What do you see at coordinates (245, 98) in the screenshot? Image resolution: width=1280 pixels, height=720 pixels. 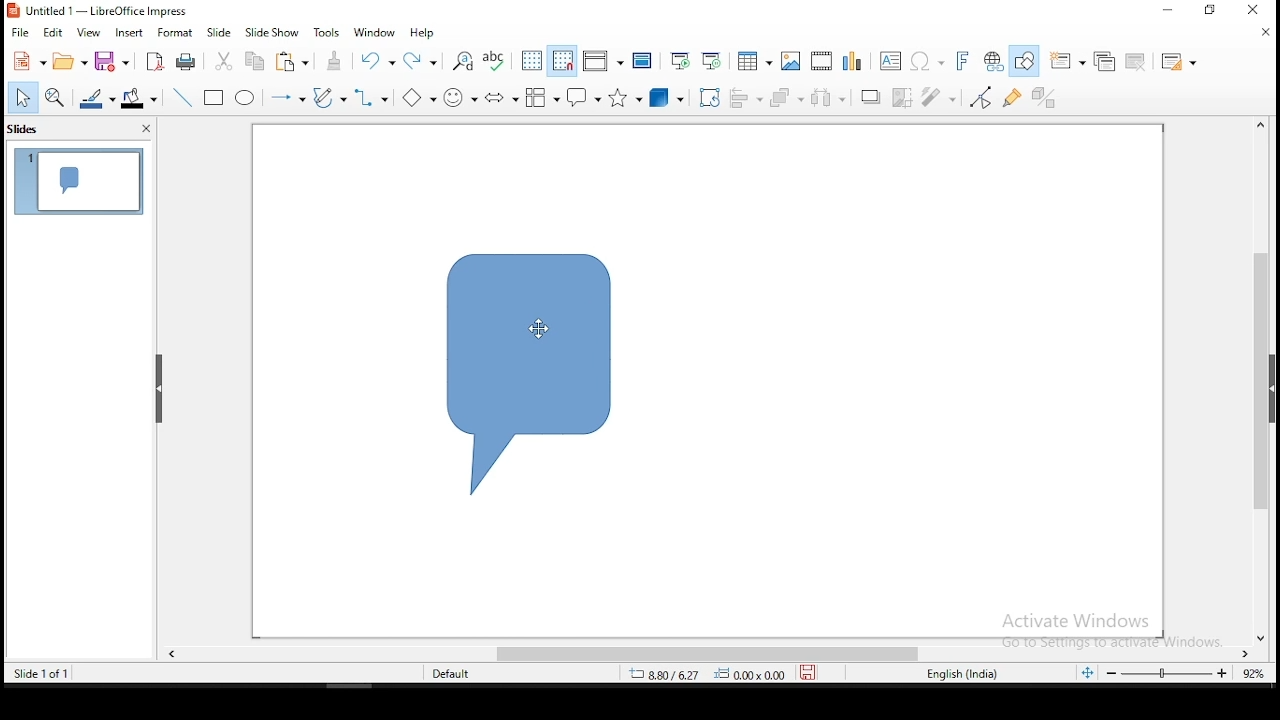 I see `ellipse` at bounding box center [245, 98].